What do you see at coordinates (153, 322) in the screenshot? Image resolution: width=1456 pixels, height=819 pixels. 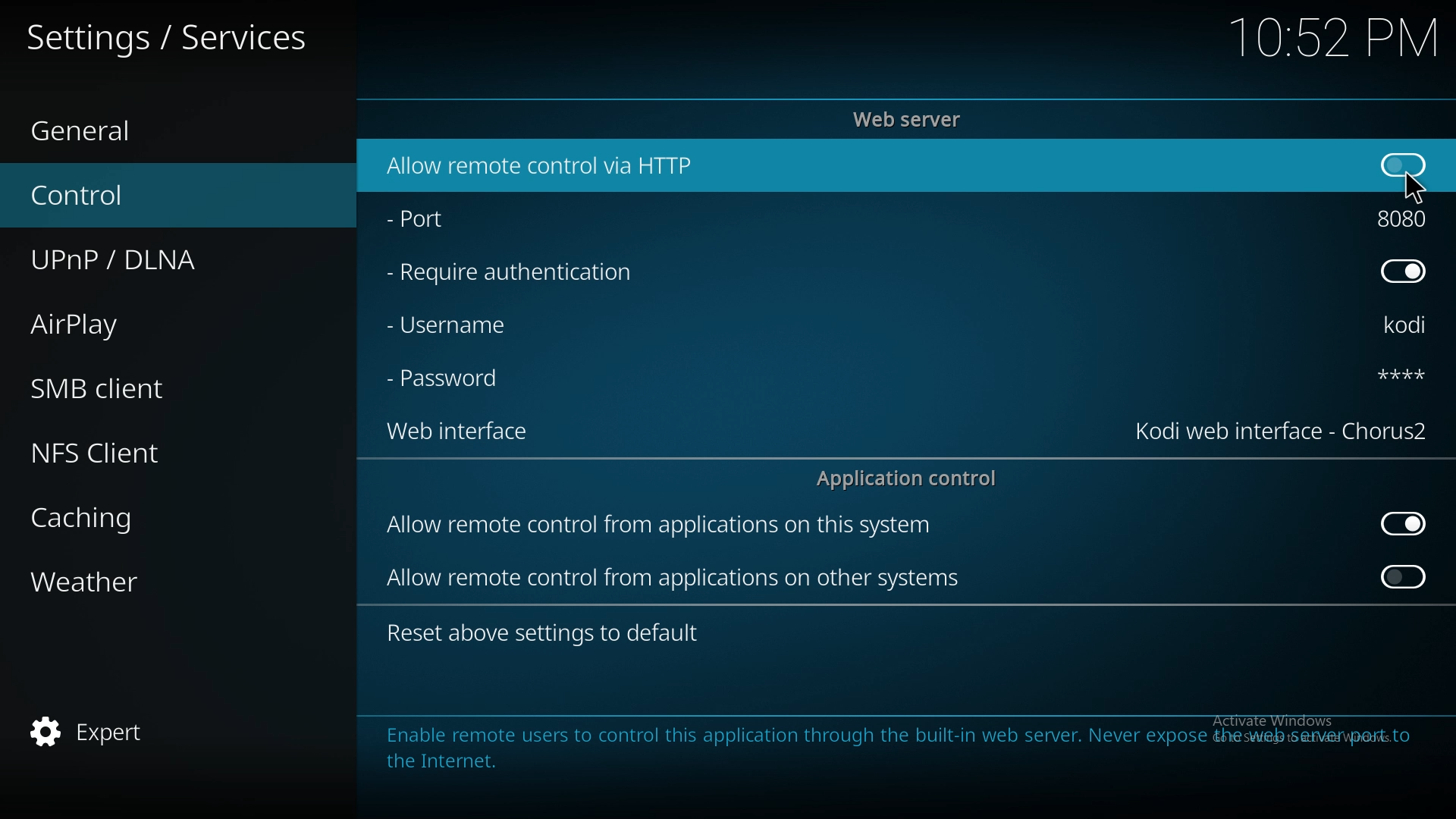 I see `airplay` at bounding box center [153, 322].